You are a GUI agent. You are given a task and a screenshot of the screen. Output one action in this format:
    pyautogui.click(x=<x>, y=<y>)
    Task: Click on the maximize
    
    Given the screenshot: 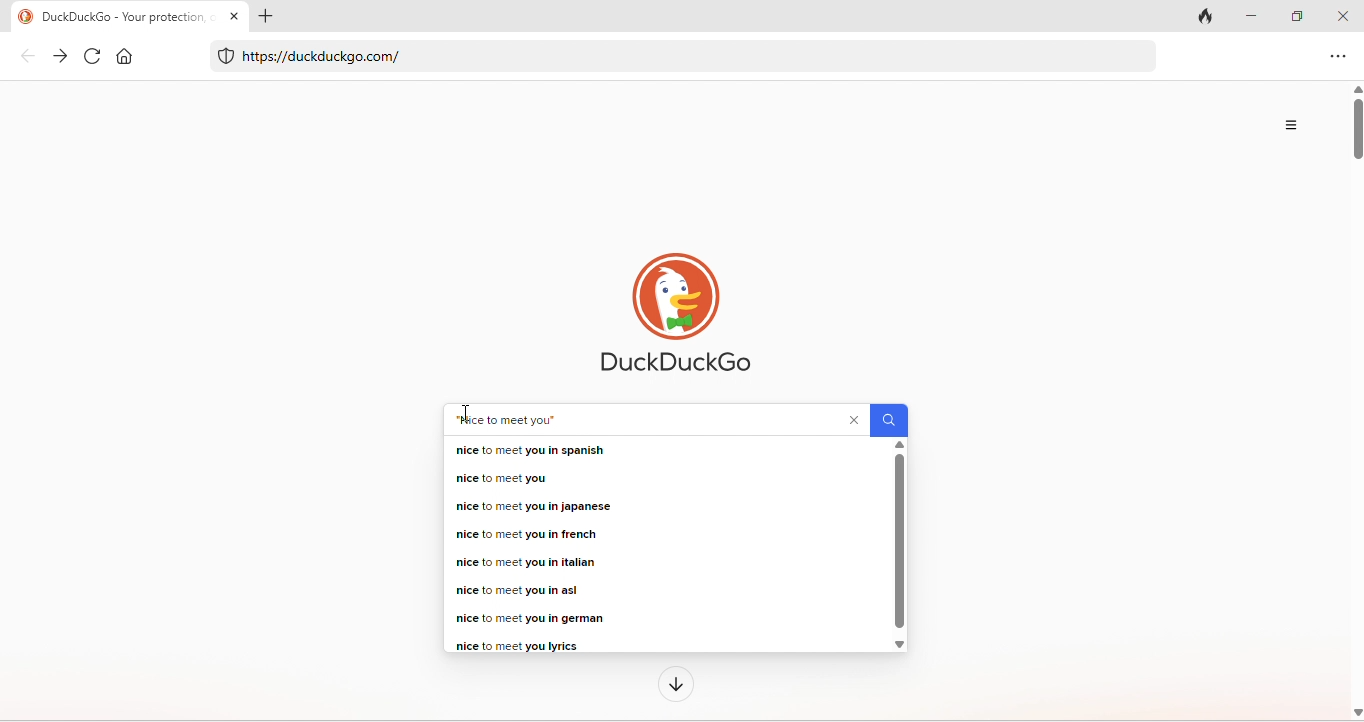 What is the action you would take?
    pyautogui.click(x=1296, y=14)
    